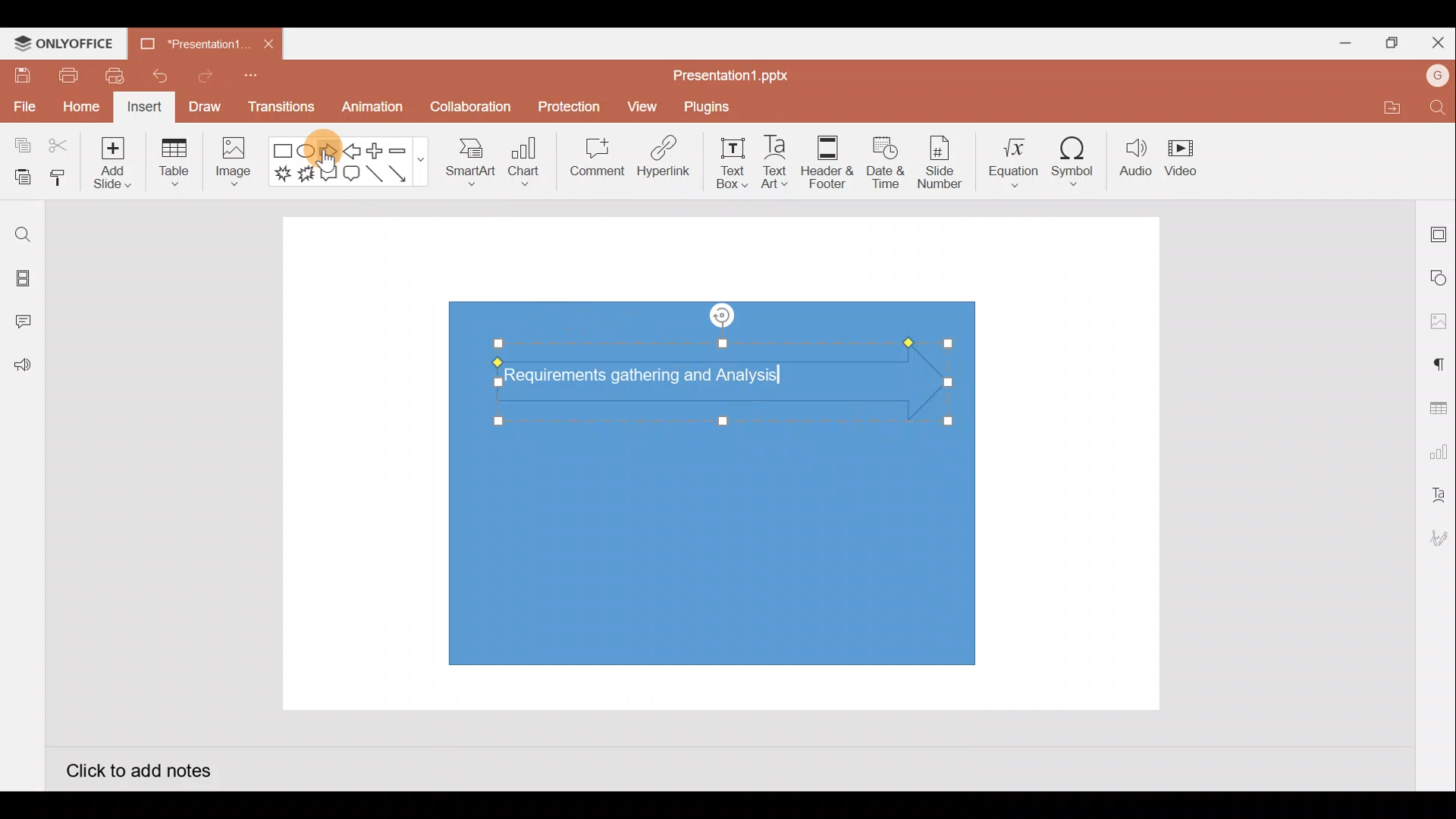 This screenshot has width=1456, height=819. I want to click on Feedback and Support, so click(22, 369).